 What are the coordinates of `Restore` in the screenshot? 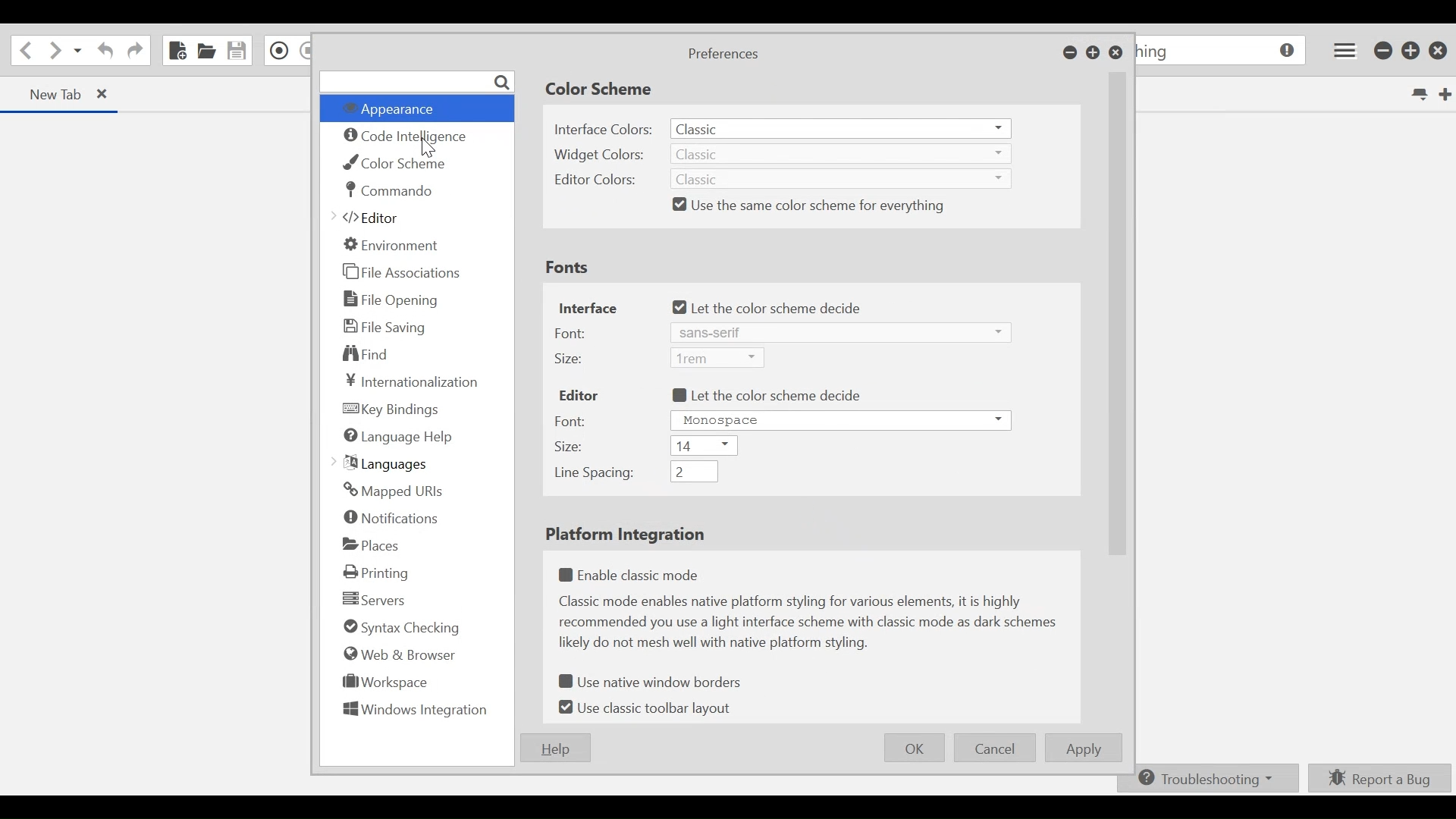 It's located at (1094, 54).